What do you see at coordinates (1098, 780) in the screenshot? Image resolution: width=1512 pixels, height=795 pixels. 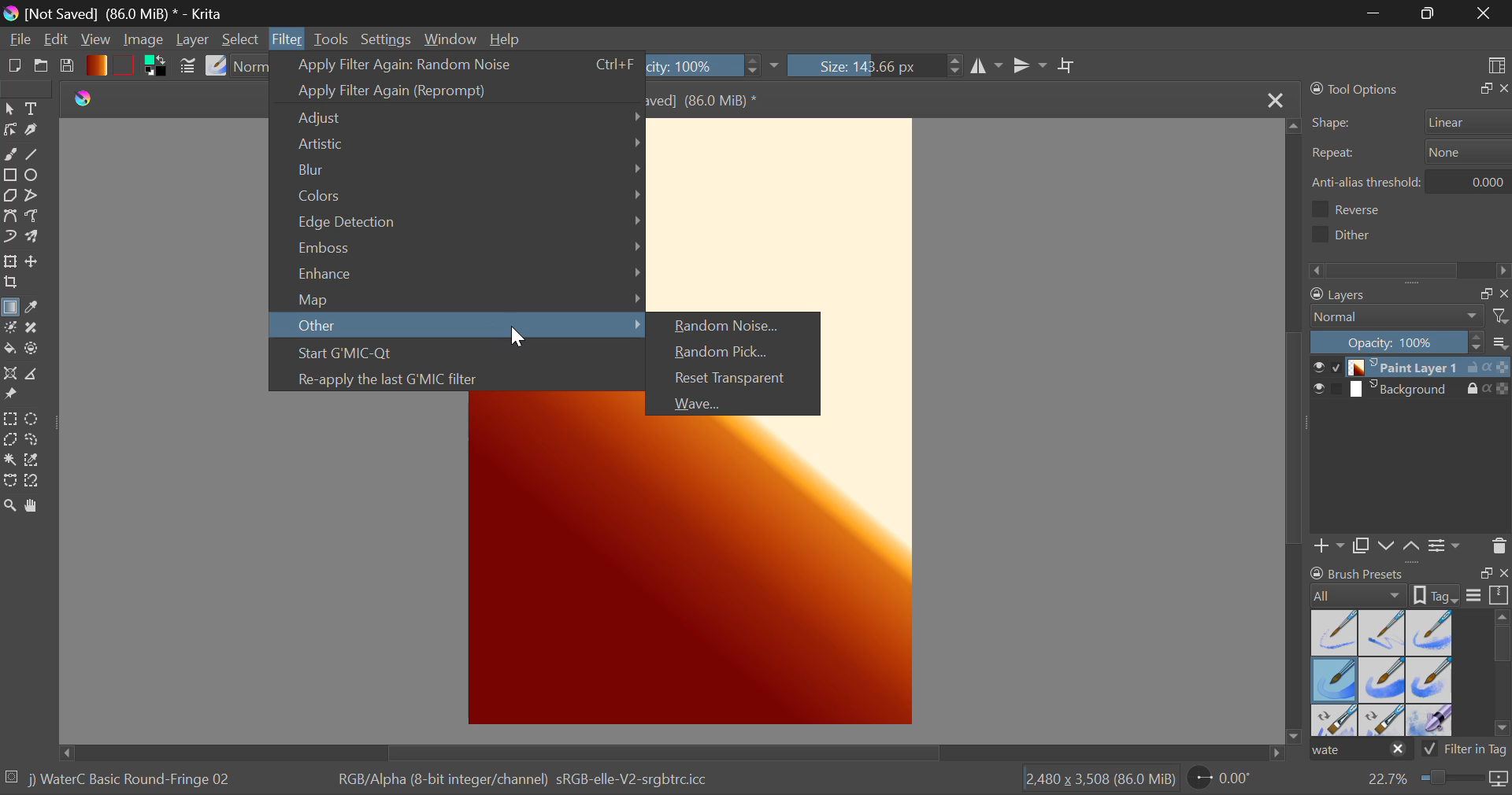 I see `2,480x3,508 (86.0 MiB)` at bounding box center [1098, 780].